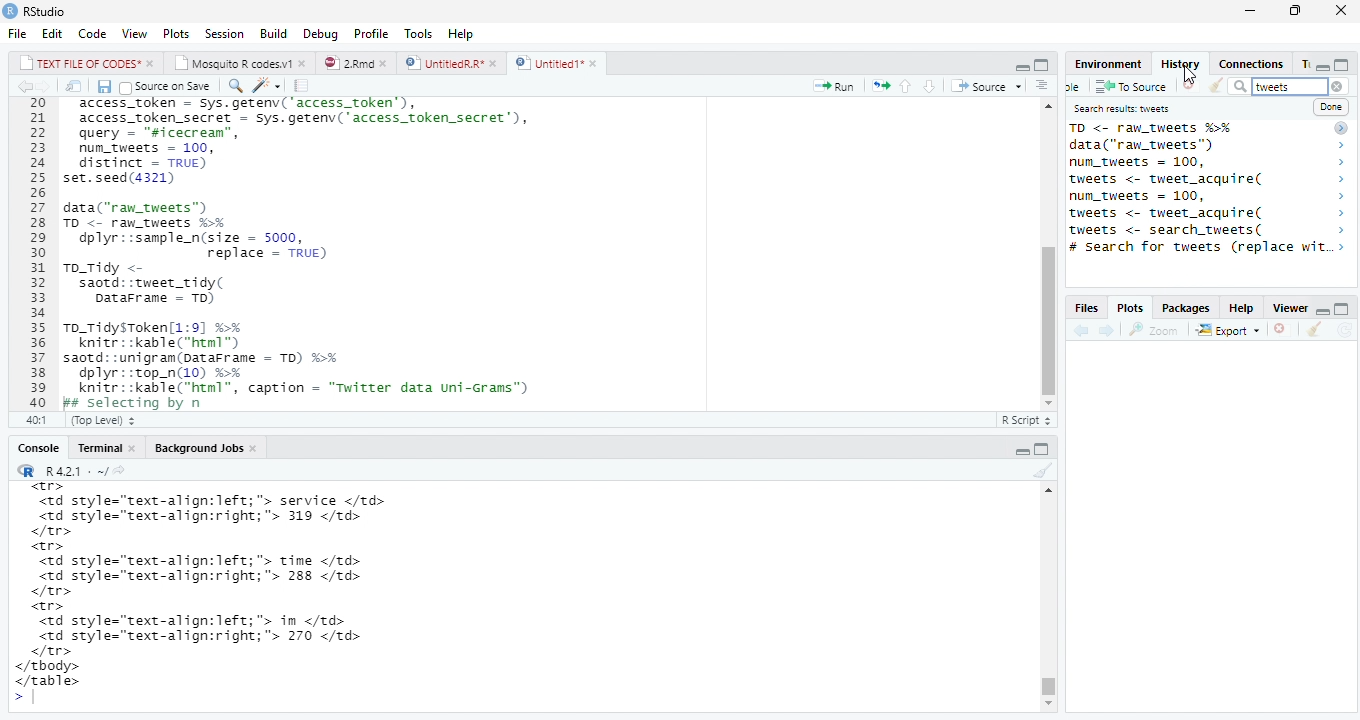  What do you see at coordinates (1287, 307) in the screenshot?
I see `Viewer` at bounding box center [1287, 307].